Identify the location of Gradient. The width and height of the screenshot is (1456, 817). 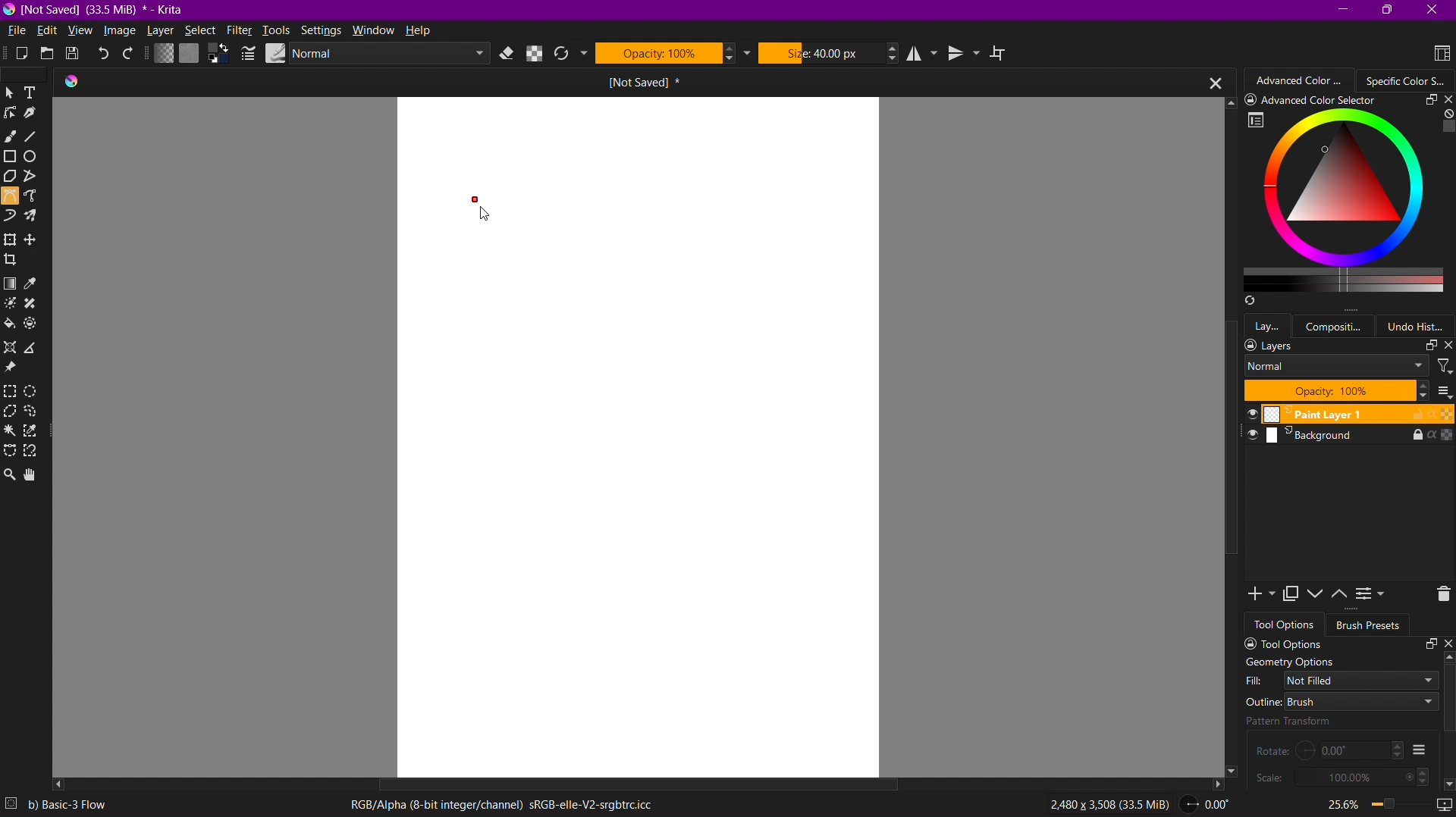
(11, 283).